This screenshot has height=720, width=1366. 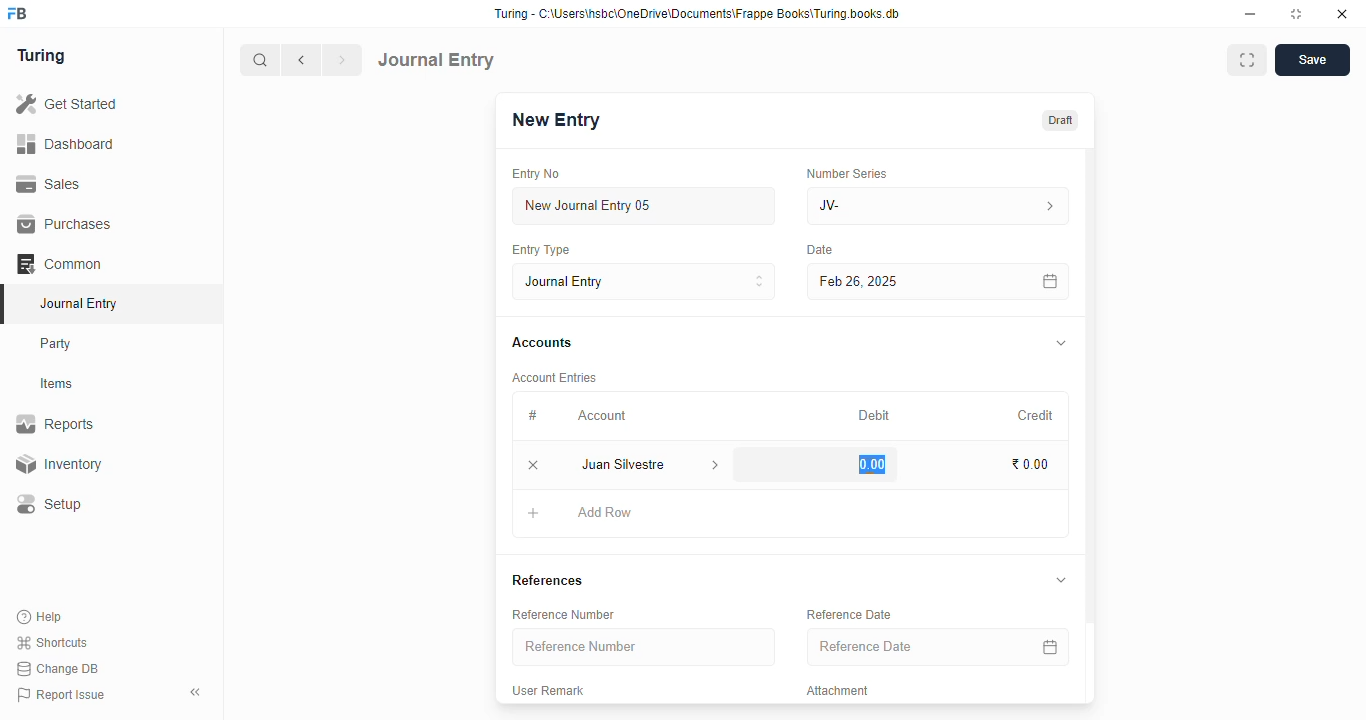 I want to click on next, so click(x=344, y=60).